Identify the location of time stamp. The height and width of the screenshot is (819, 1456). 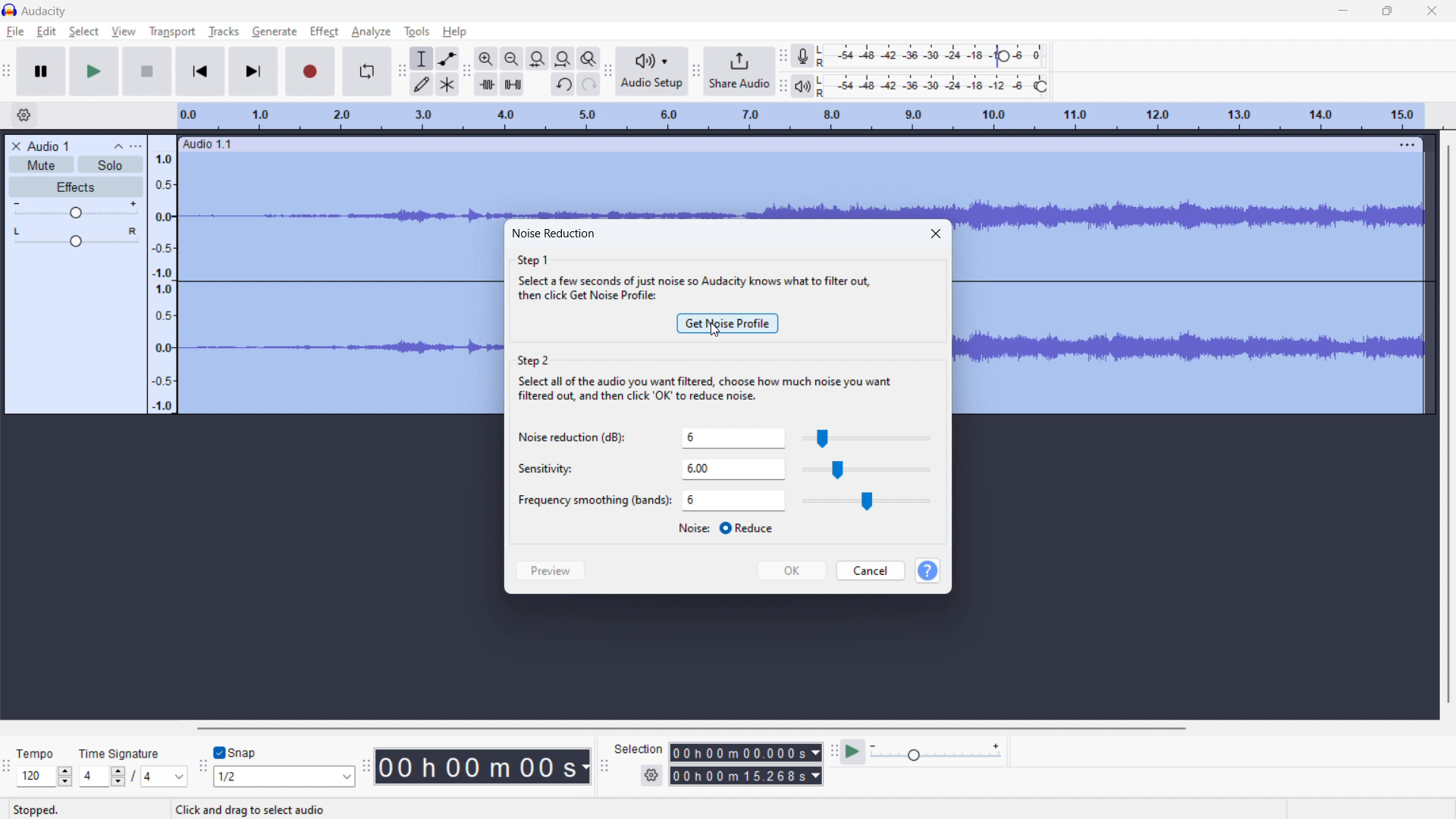
(482, 767).